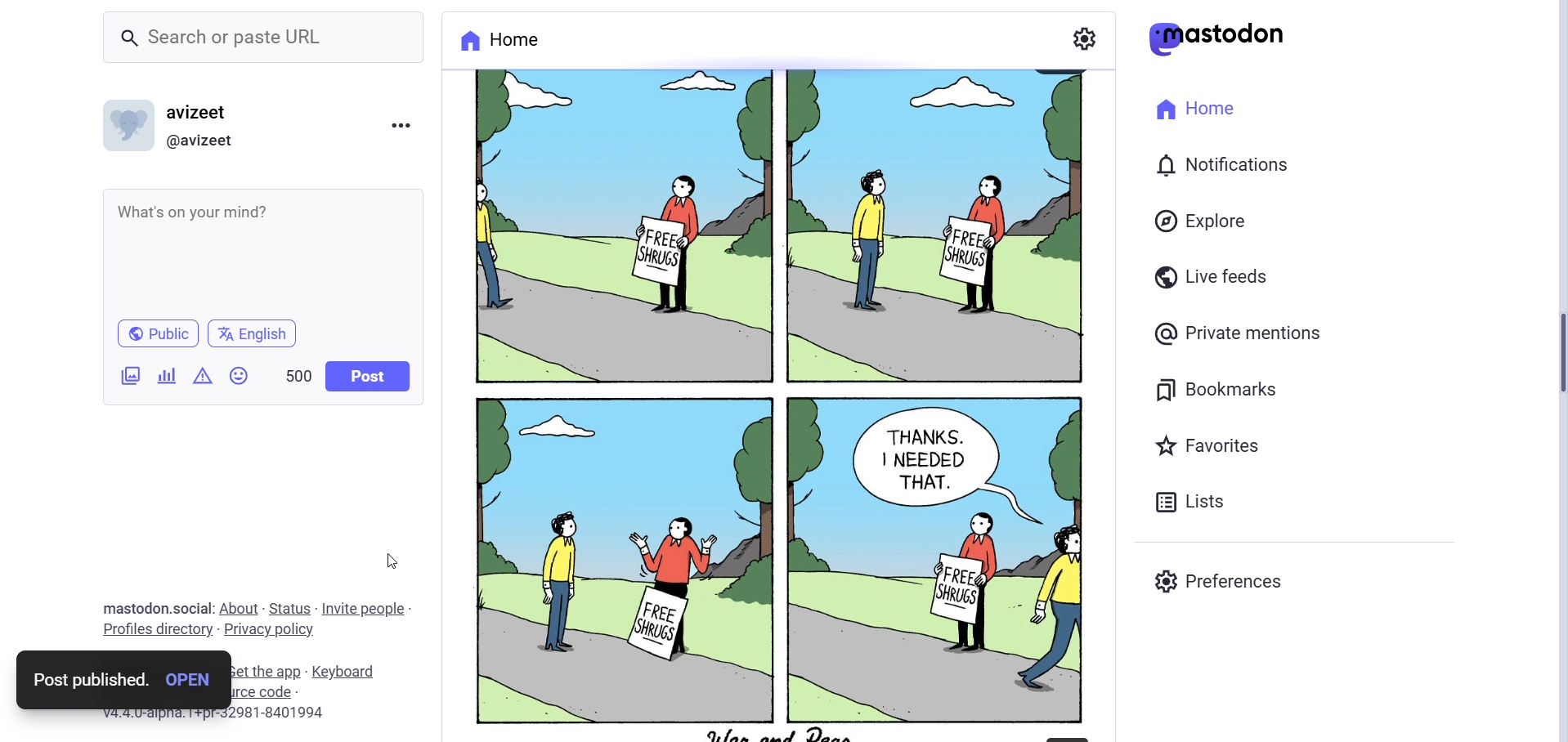 The height and width of the screenshot is (742, 1568). What do you see at coordinates (1224, 579) in the screenshot?
I see `Preferences` at bounding box center [1224, 579].